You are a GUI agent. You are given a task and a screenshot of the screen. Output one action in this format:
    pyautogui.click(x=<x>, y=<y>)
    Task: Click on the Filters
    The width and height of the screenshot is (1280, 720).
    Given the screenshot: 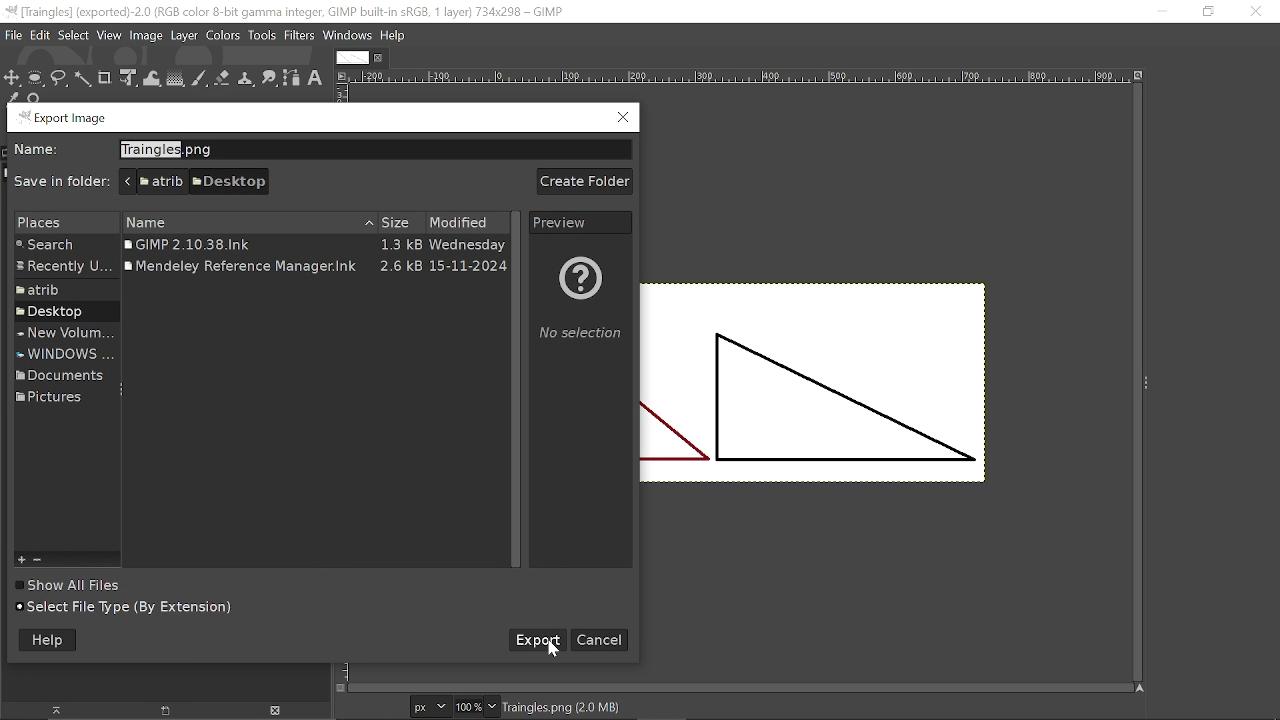 What is the action you would take?
    pyautogui.click(x=300, y=36)
    